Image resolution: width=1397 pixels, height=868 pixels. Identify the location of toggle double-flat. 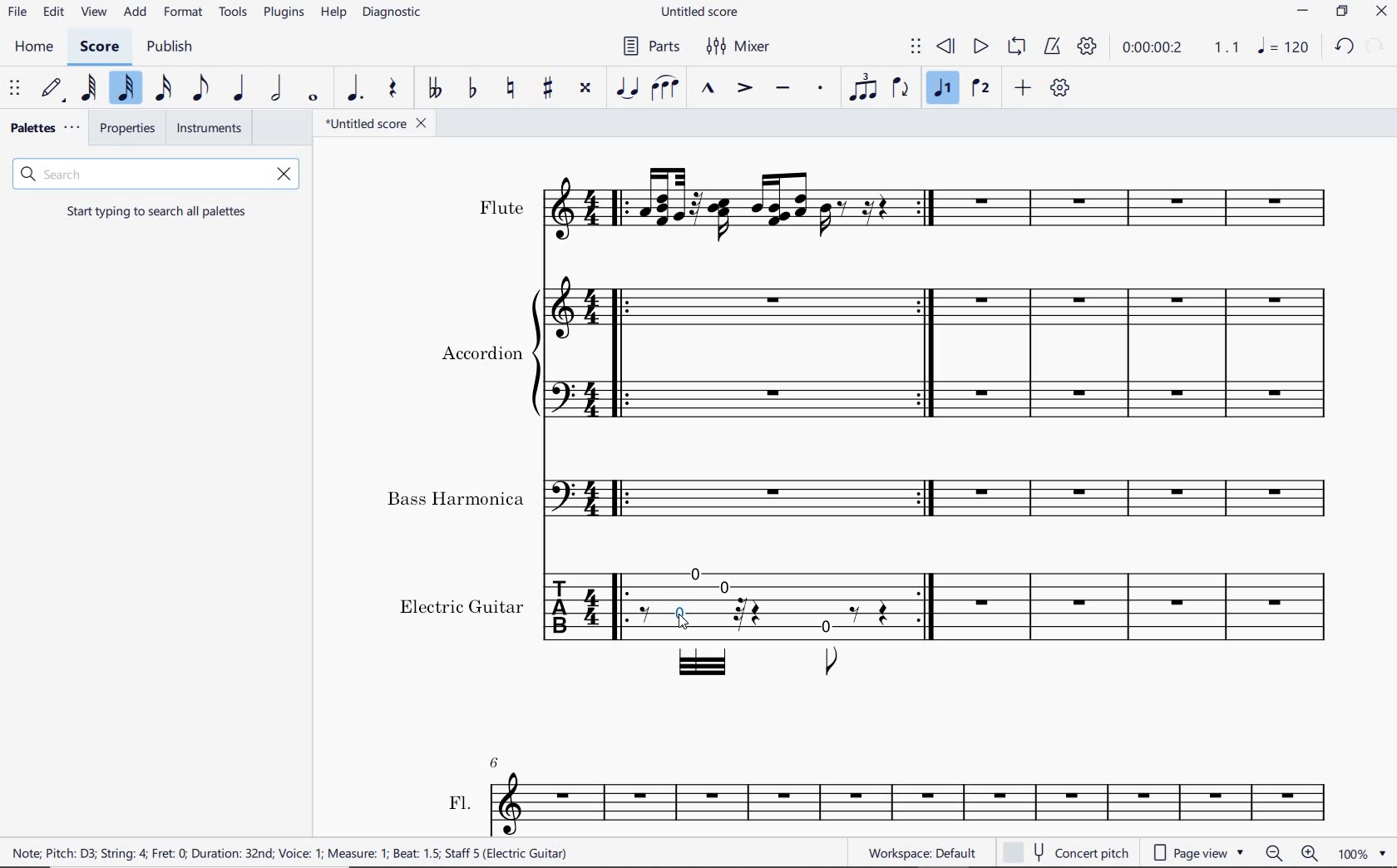
(432, 89).